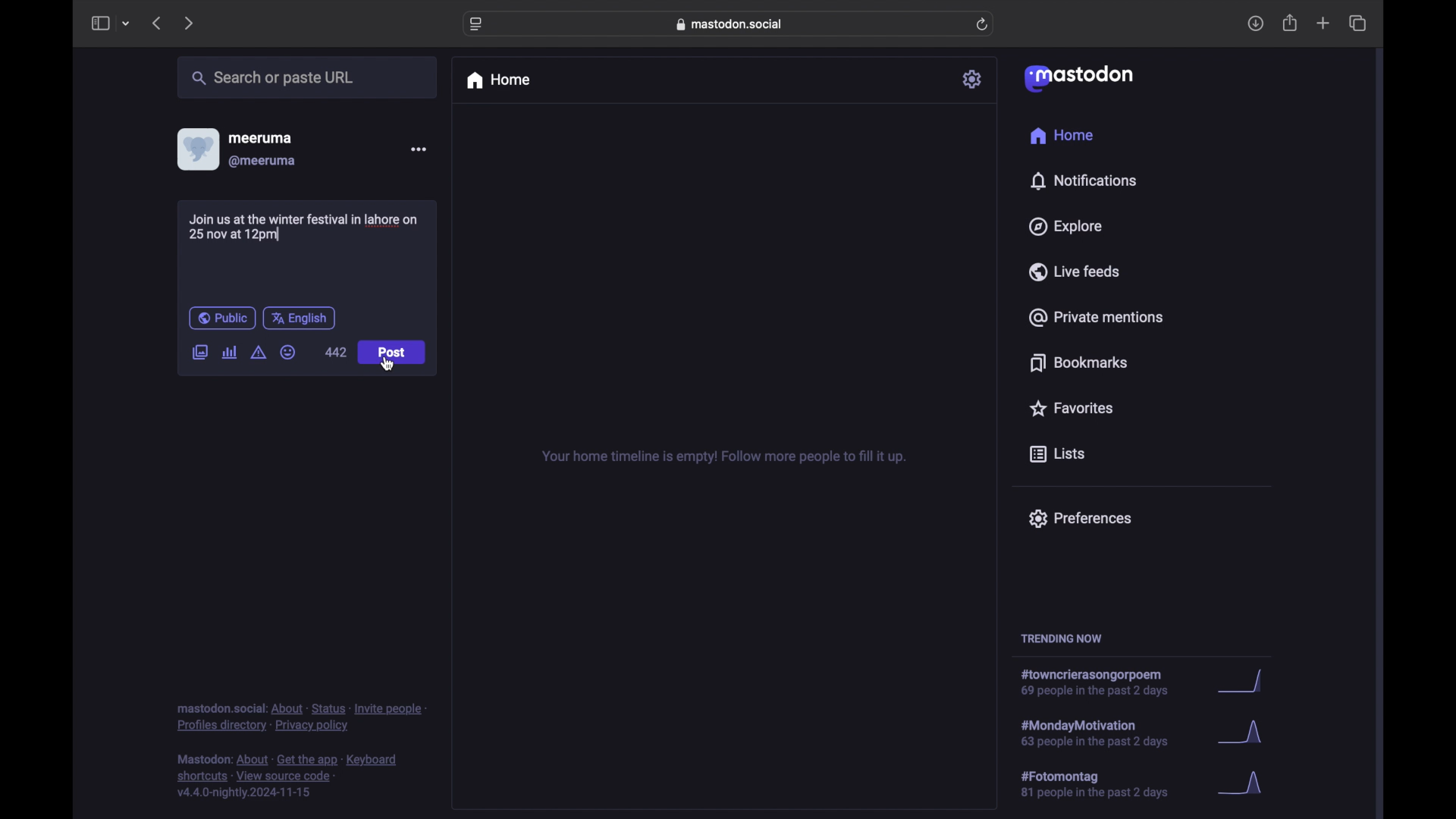 This screenshot has height=819, width=1456. Describe the element at coordinates (196, 149) in the screenshot. I see `display picture` at that location.